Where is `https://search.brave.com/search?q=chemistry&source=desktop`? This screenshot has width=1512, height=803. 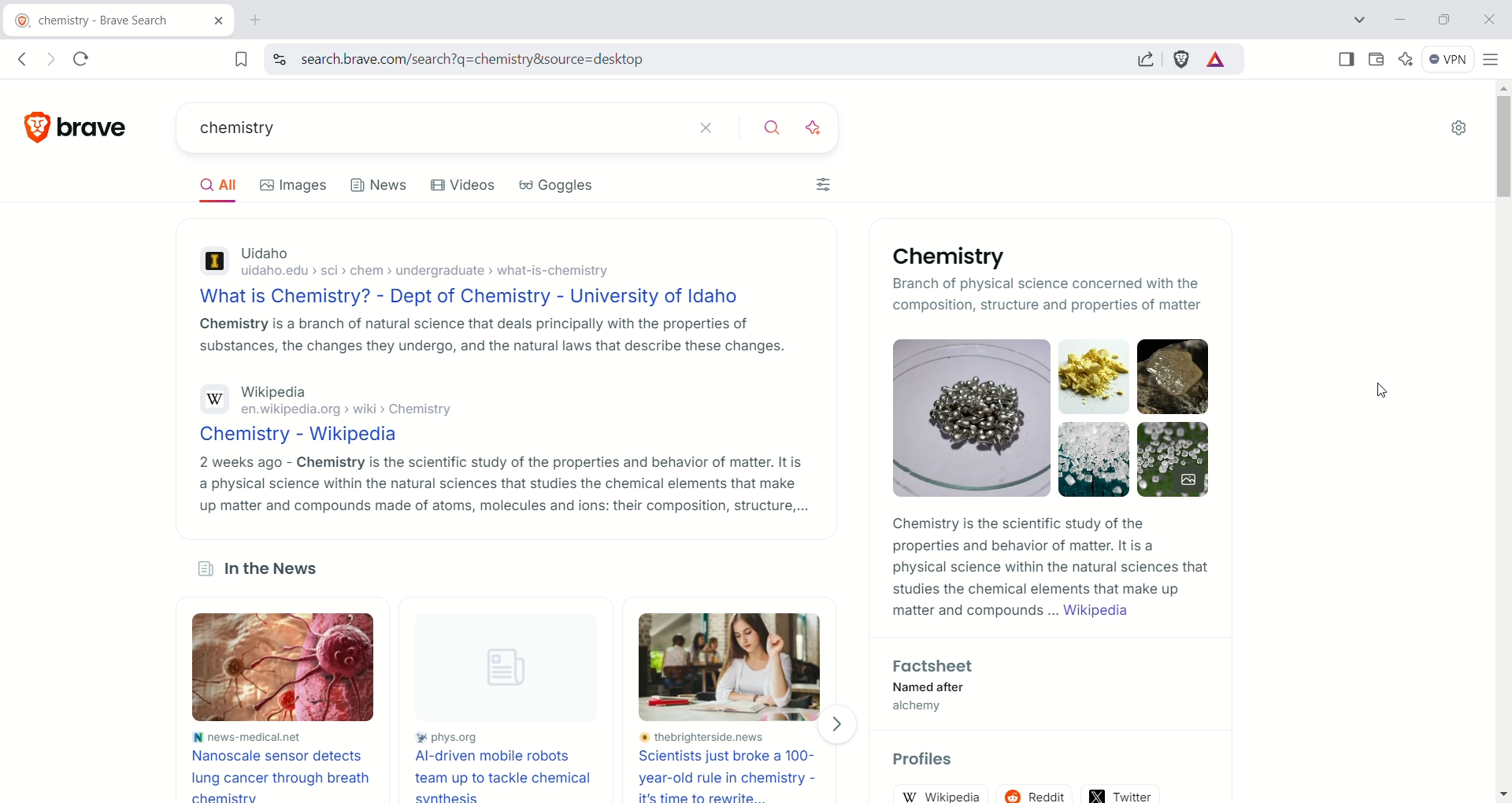 https://search.brave.com/search?q=chemistry&source=desktop is located at coordinates (498, 60).